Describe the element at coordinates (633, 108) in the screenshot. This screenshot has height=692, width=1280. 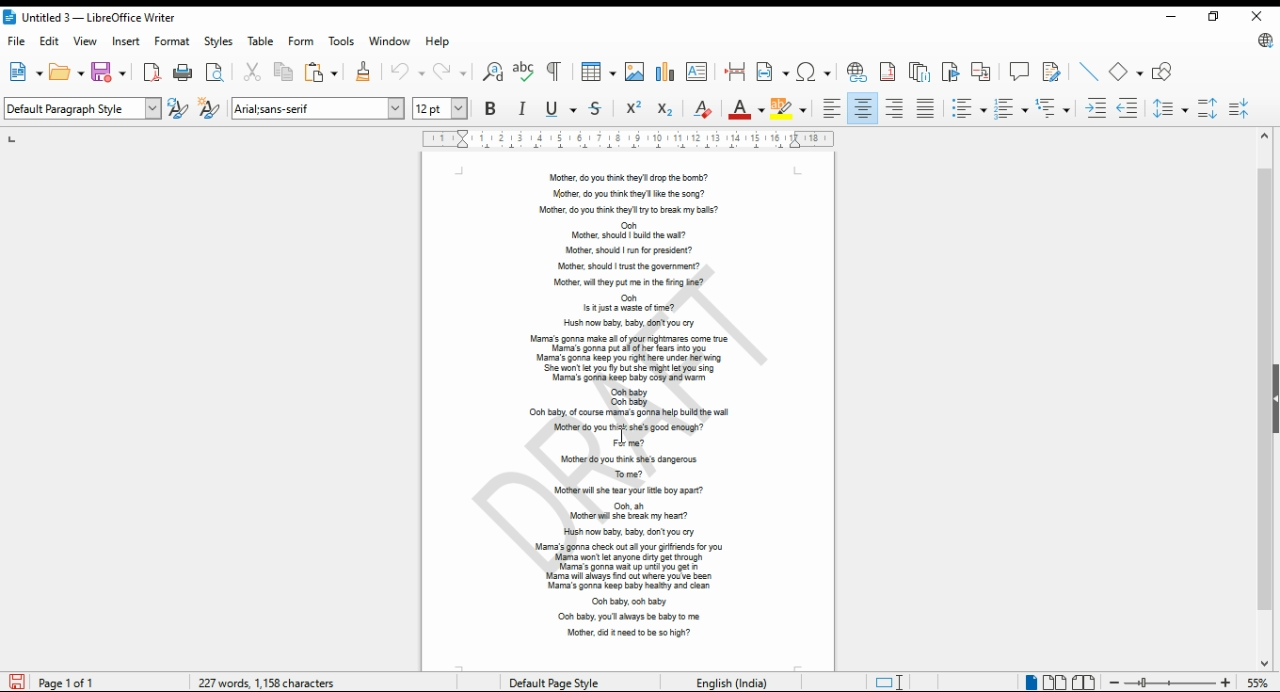
I see `superscript` at that location.